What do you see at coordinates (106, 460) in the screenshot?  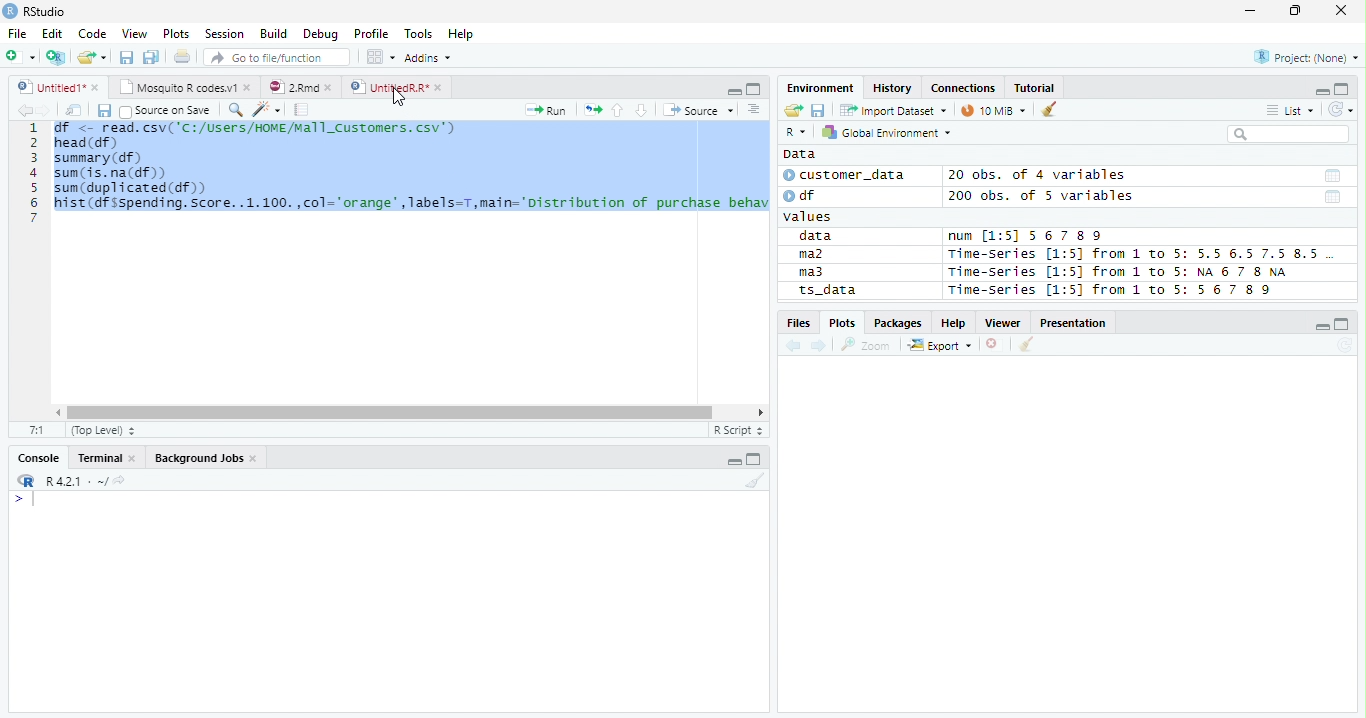 I see `Terminal` at bounding box center [106, 460].